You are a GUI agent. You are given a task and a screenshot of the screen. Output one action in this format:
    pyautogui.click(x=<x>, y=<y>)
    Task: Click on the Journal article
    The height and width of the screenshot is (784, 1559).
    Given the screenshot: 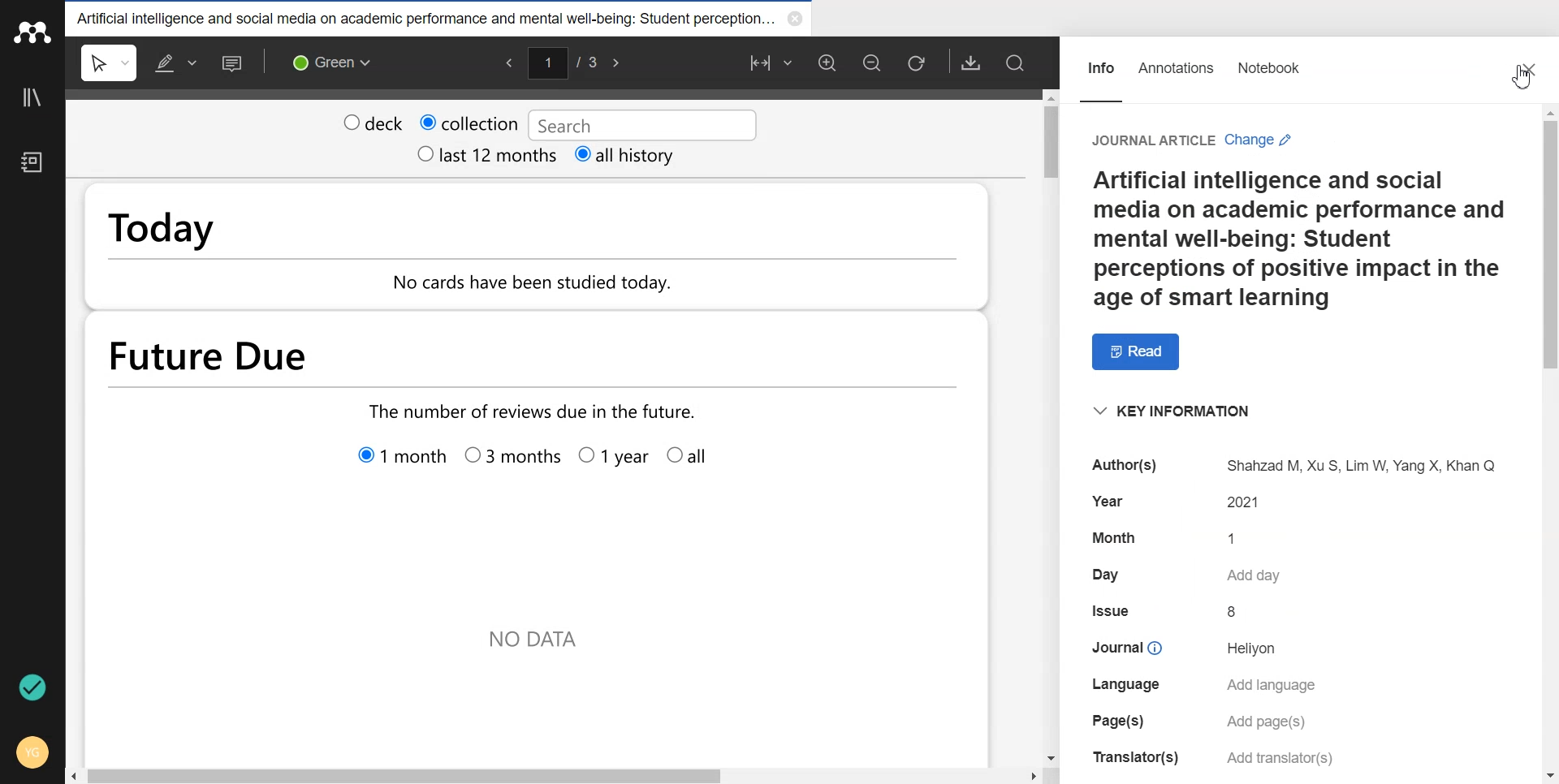 What is the action you would take?
    pyautogui.click(x=1150, y=131)
    